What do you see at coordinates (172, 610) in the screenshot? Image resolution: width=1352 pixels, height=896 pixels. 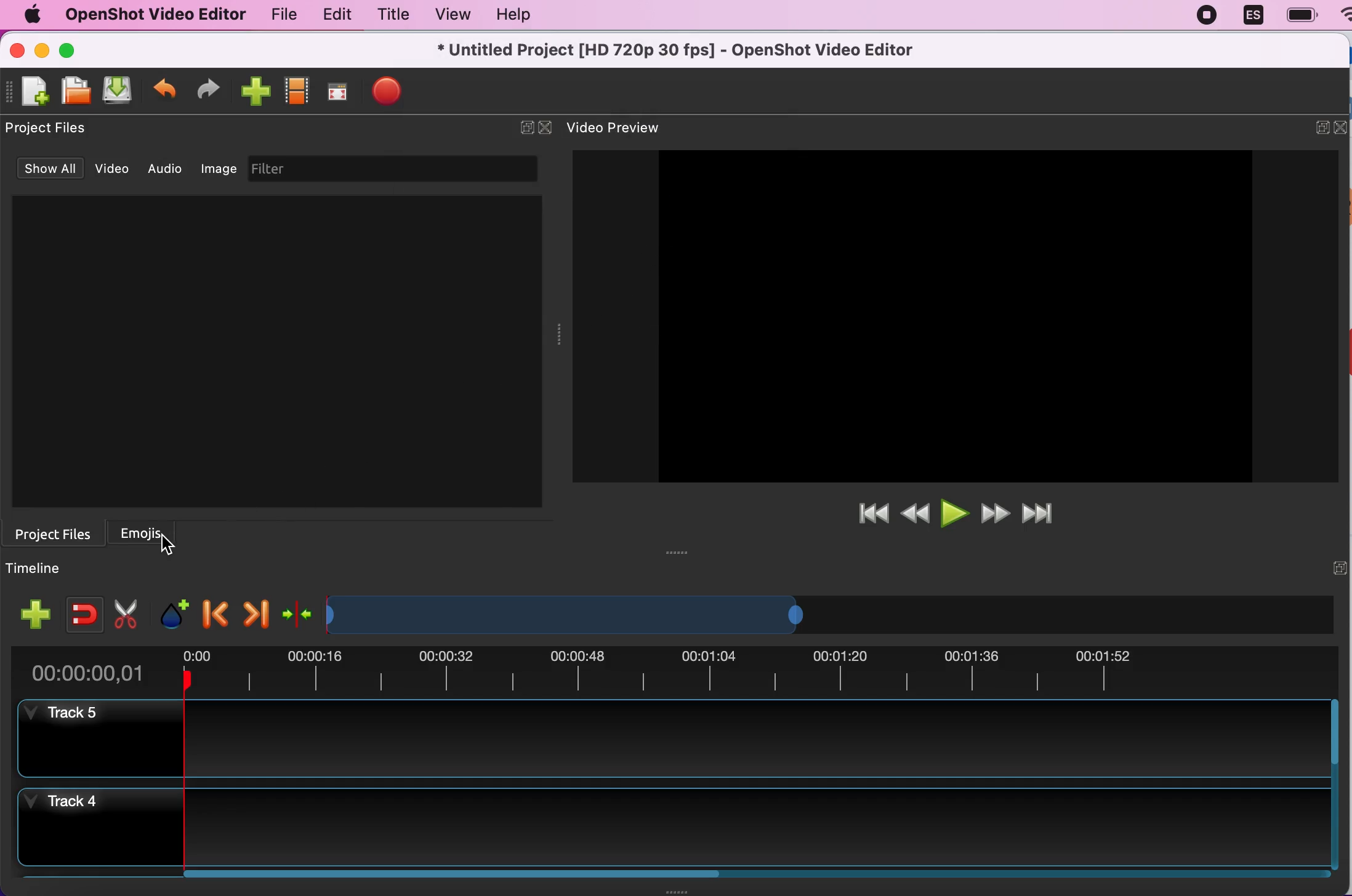 I see `add marker` at bounding box center [172, 610].